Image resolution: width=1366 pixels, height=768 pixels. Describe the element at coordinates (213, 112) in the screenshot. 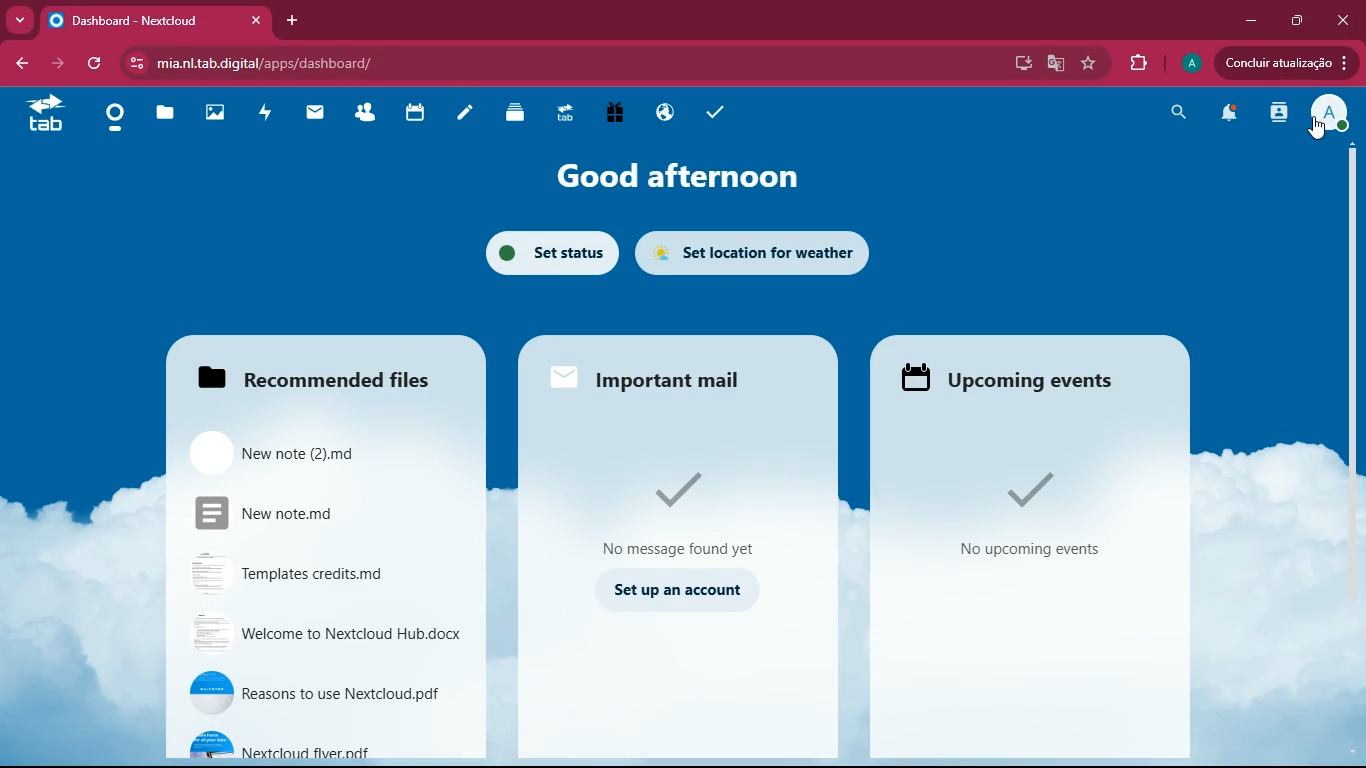

I see `images` at that location.